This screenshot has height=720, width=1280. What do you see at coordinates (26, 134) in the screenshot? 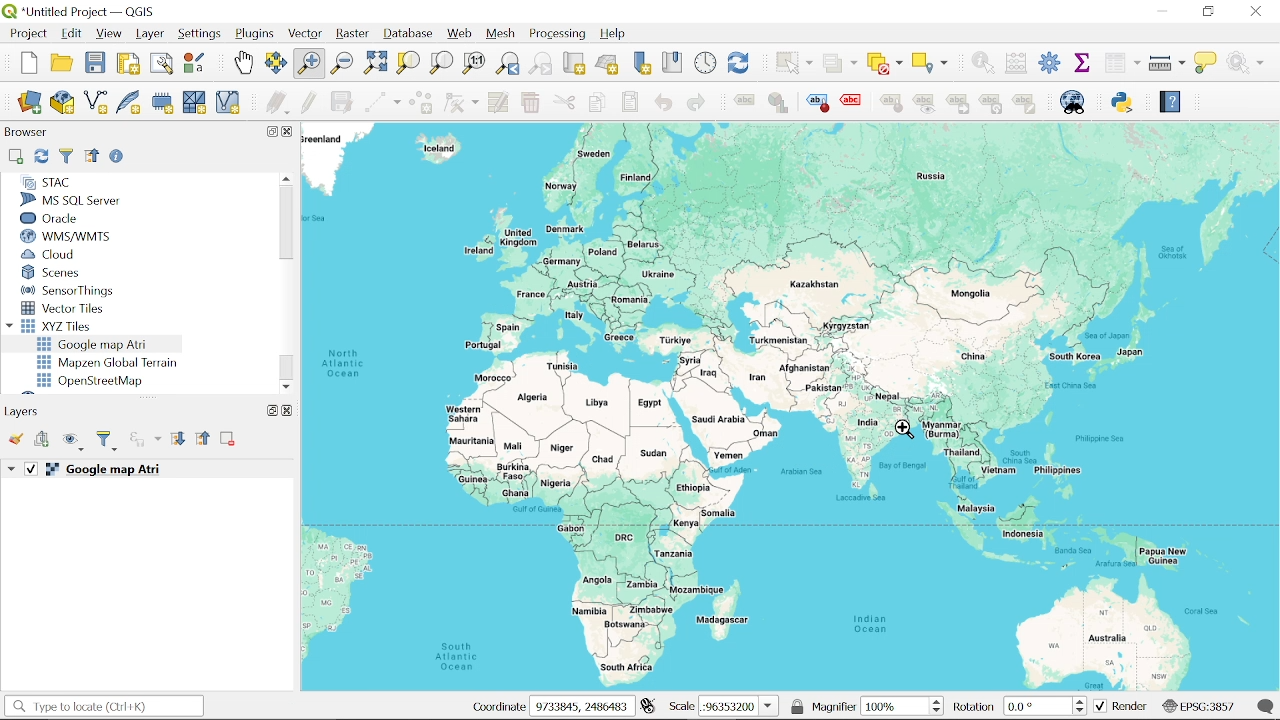
I see `Browser` at bounding box center [26, 134].